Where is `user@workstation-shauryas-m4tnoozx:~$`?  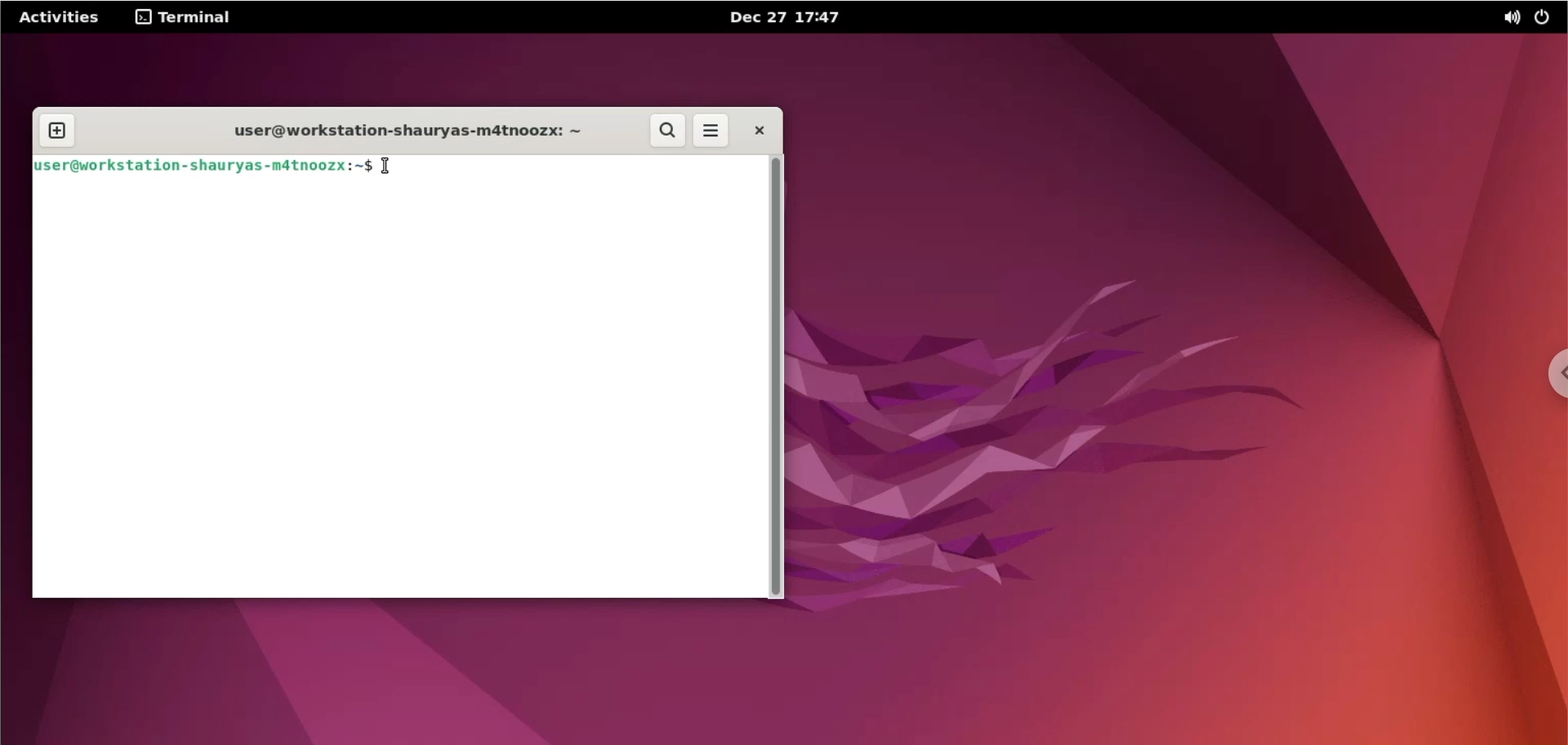 user@workstation-shauryas-m4tnoozx:~$ is located at coordinates (203, 164).